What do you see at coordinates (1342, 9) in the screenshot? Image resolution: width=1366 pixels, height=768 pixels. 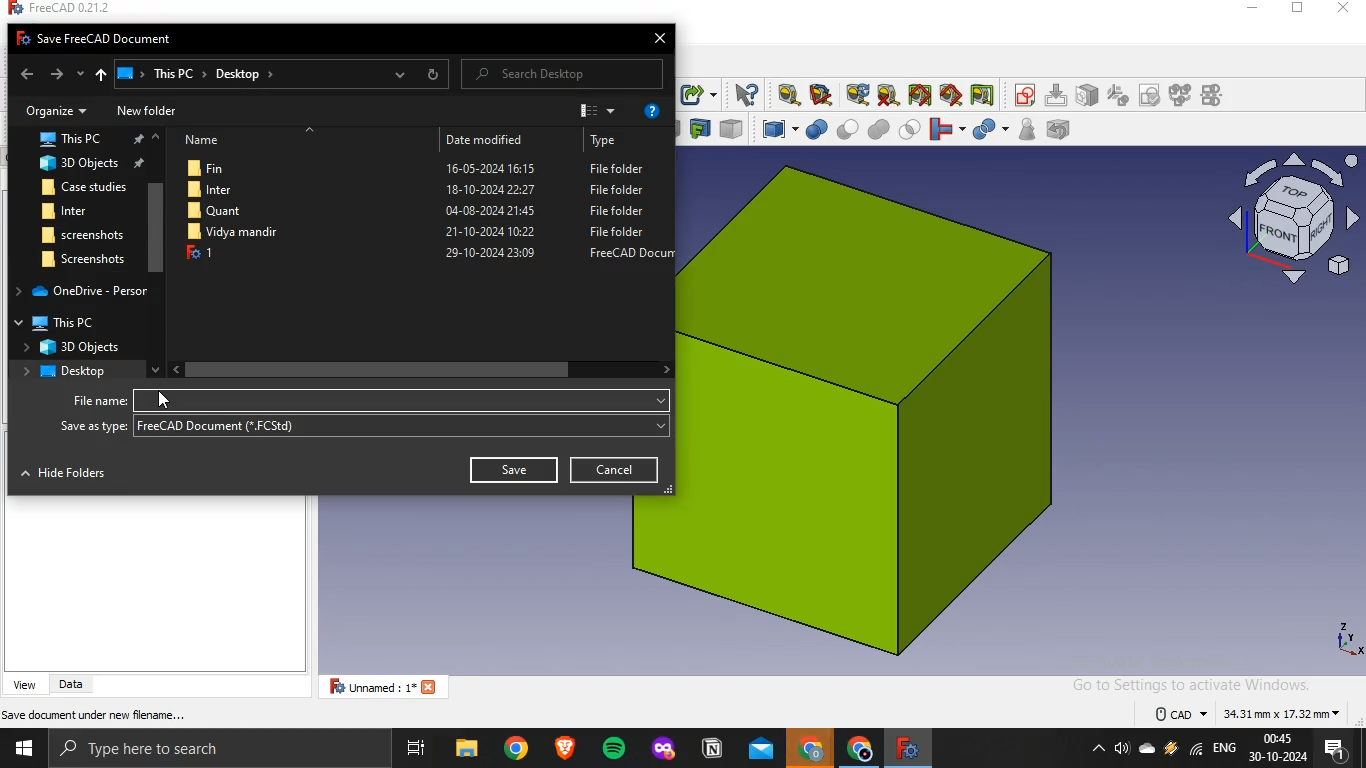 I see `close` at bounding box center [1342, 9].